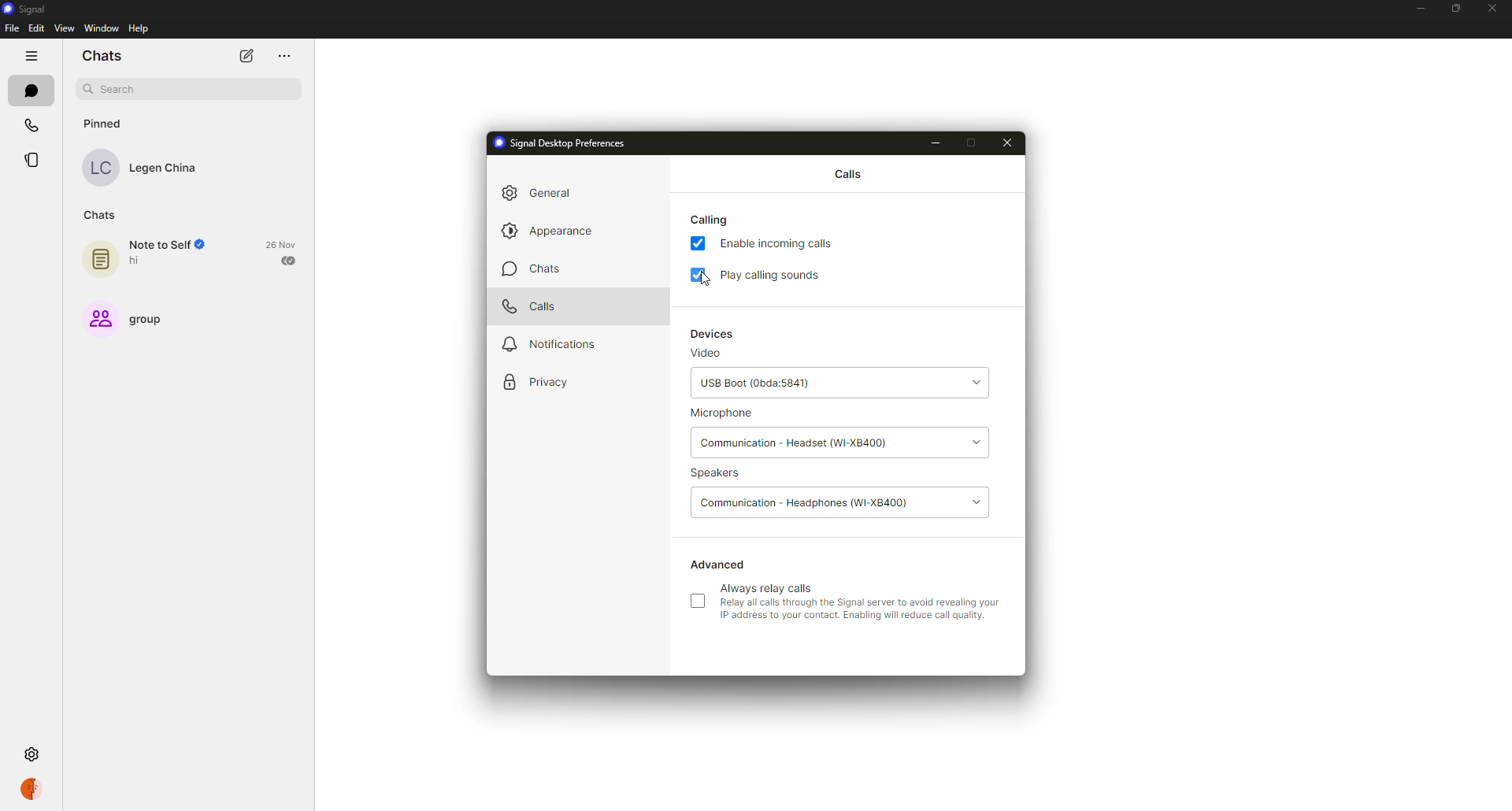  I want to click on sent, so click(291, 260).